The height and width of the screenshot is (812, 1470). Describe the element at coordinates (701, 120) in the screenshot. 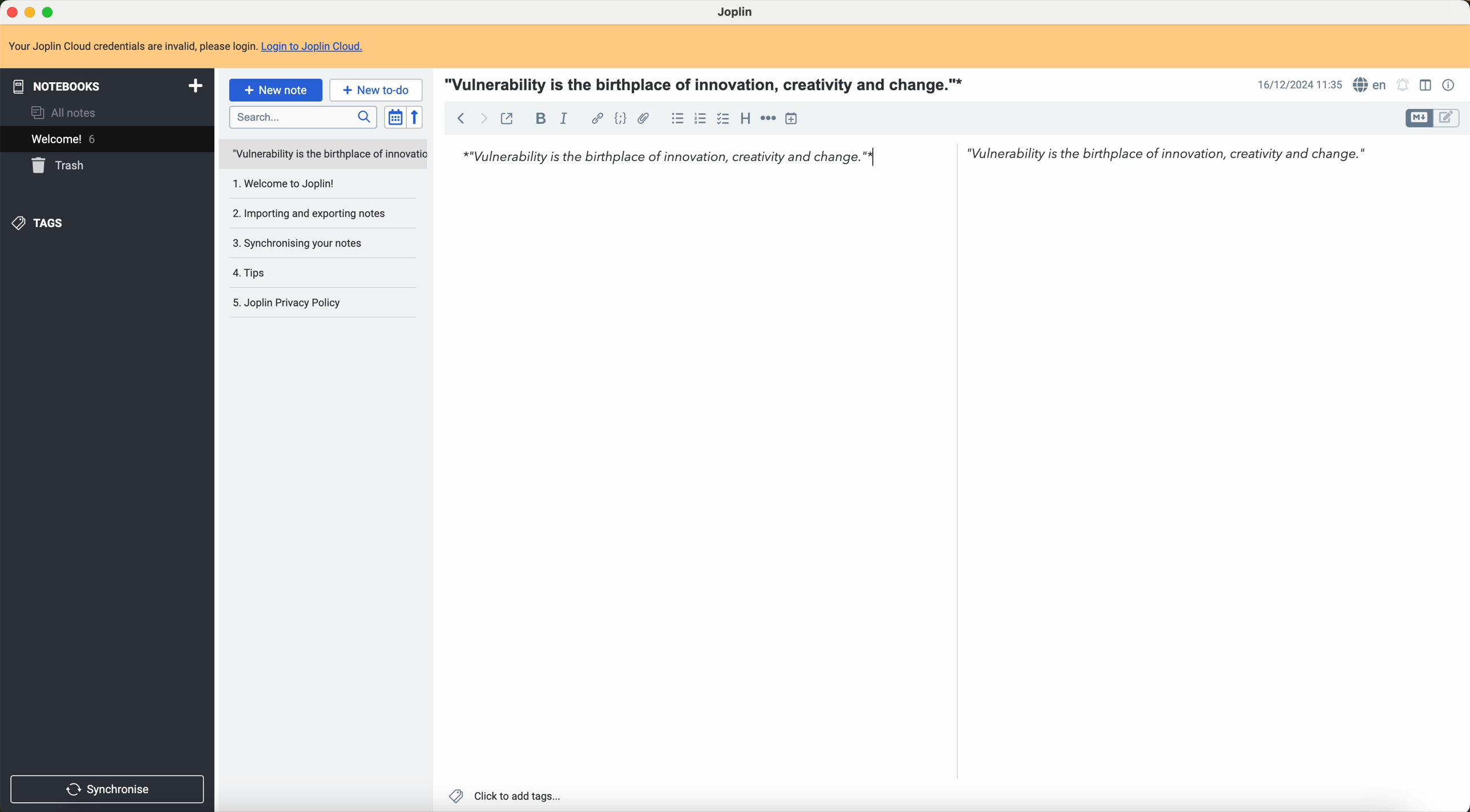

I see `numbered list` at that location.